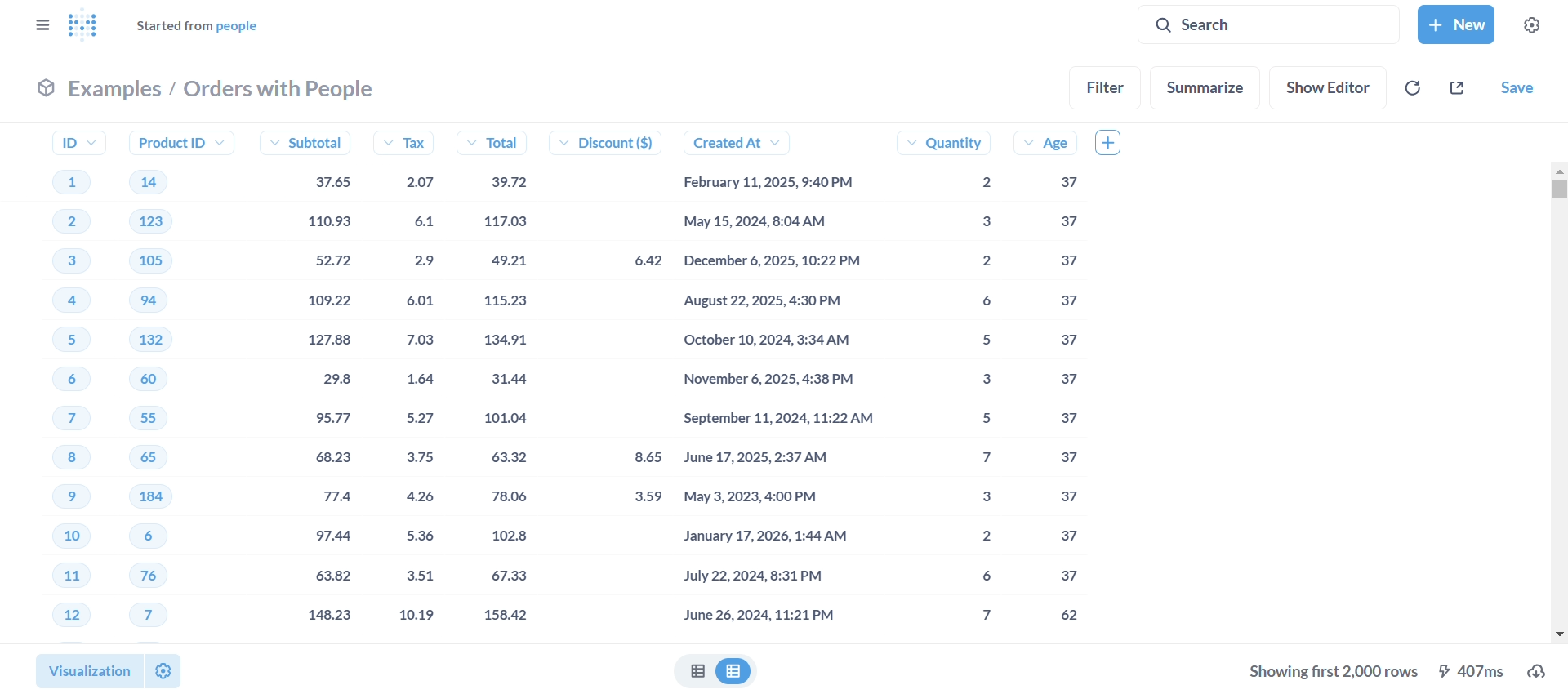  Describe the element at coordinates (211, 88) in the screenshot. I see `examples/orders with people` at that location.